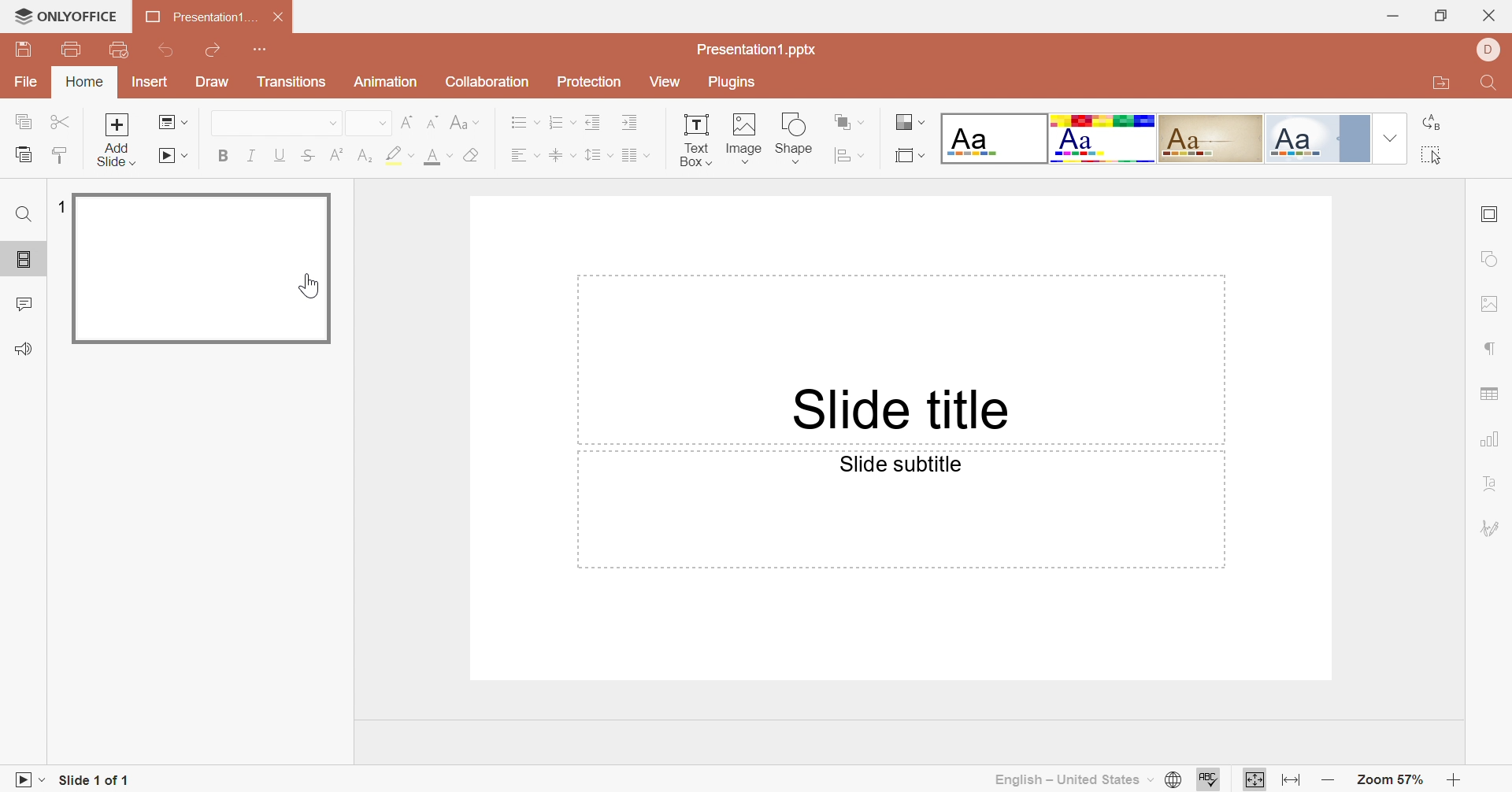  What do you see at coordinates (184, 122) in the screenshot?
I see `Drop Down` at bounding box center [184, 122].